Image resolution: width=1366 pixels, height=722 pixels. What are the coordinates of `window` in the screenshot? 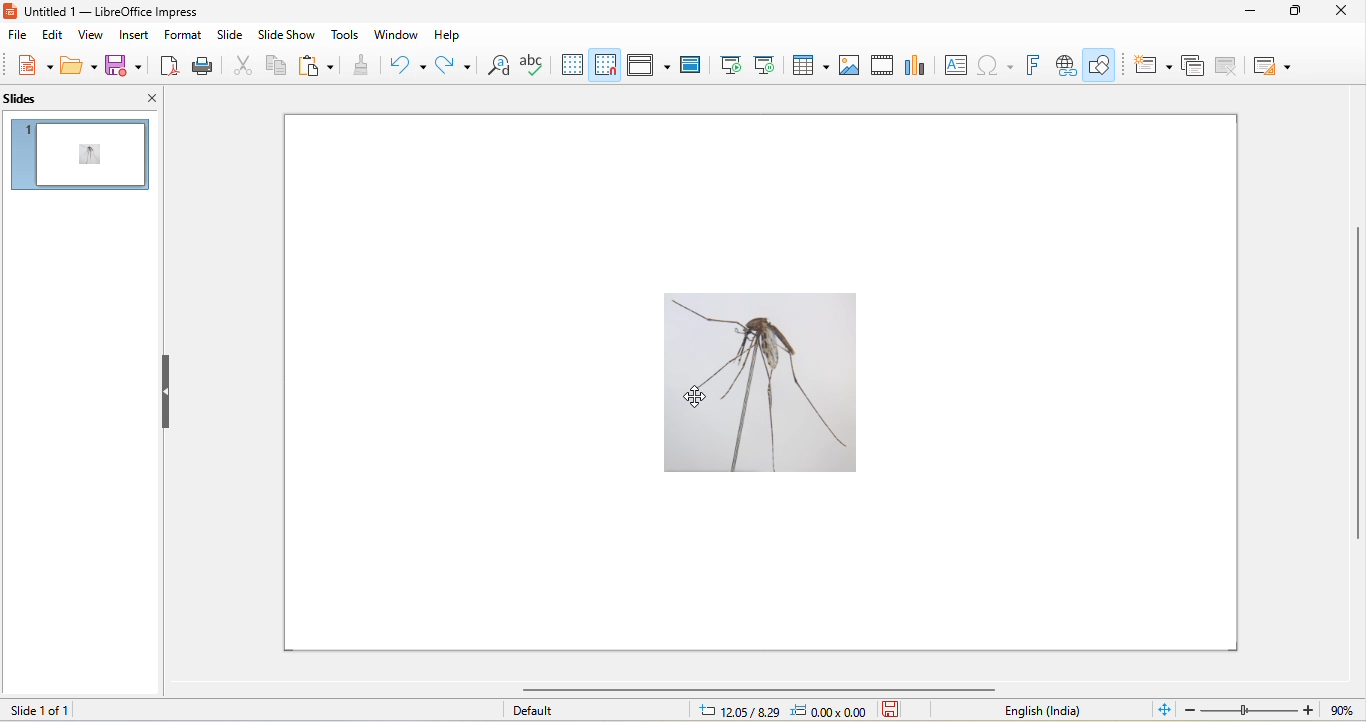 It's located at (394, 35).